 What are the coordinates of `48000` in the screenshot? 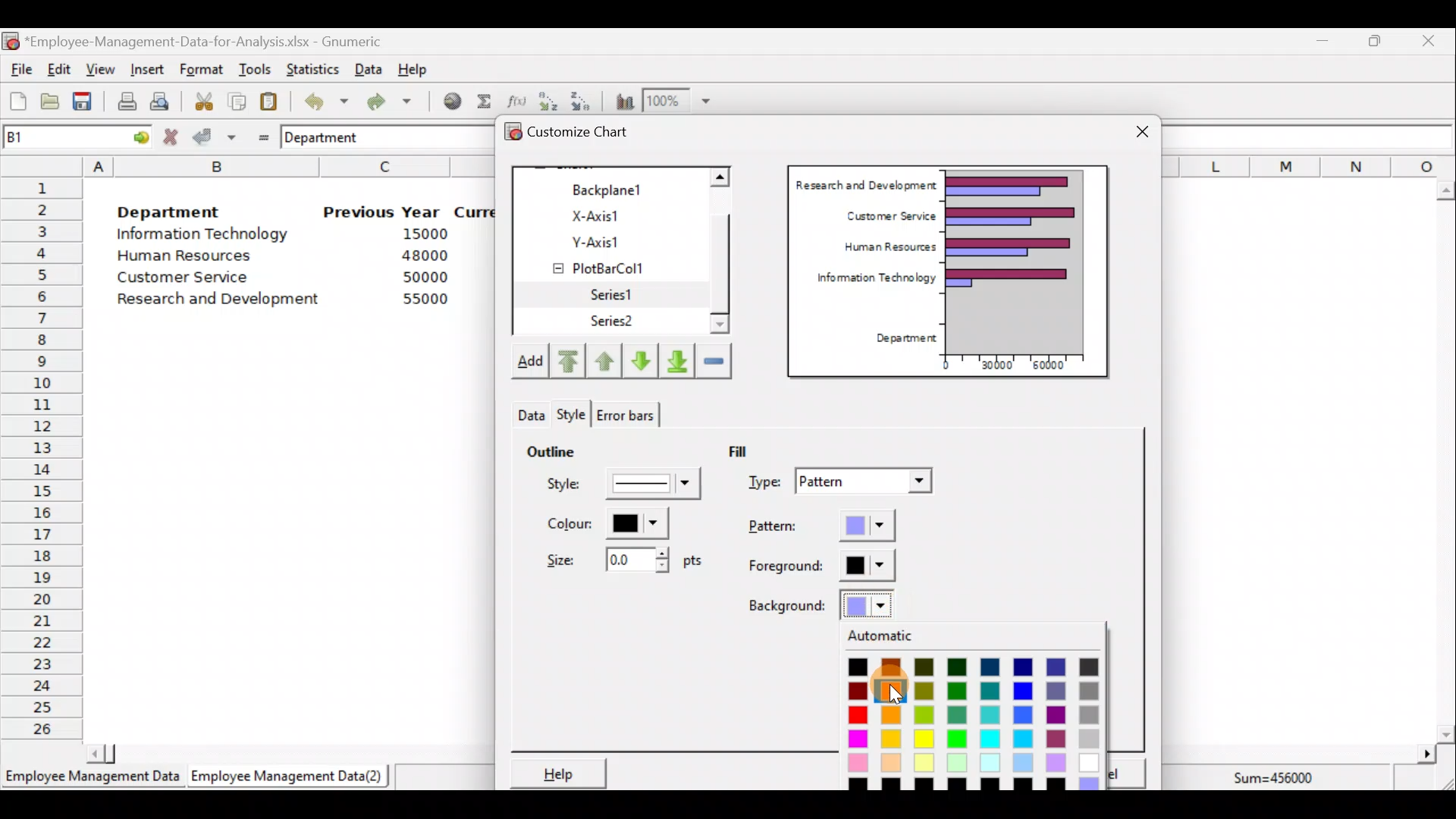 It's located at (424, 256).